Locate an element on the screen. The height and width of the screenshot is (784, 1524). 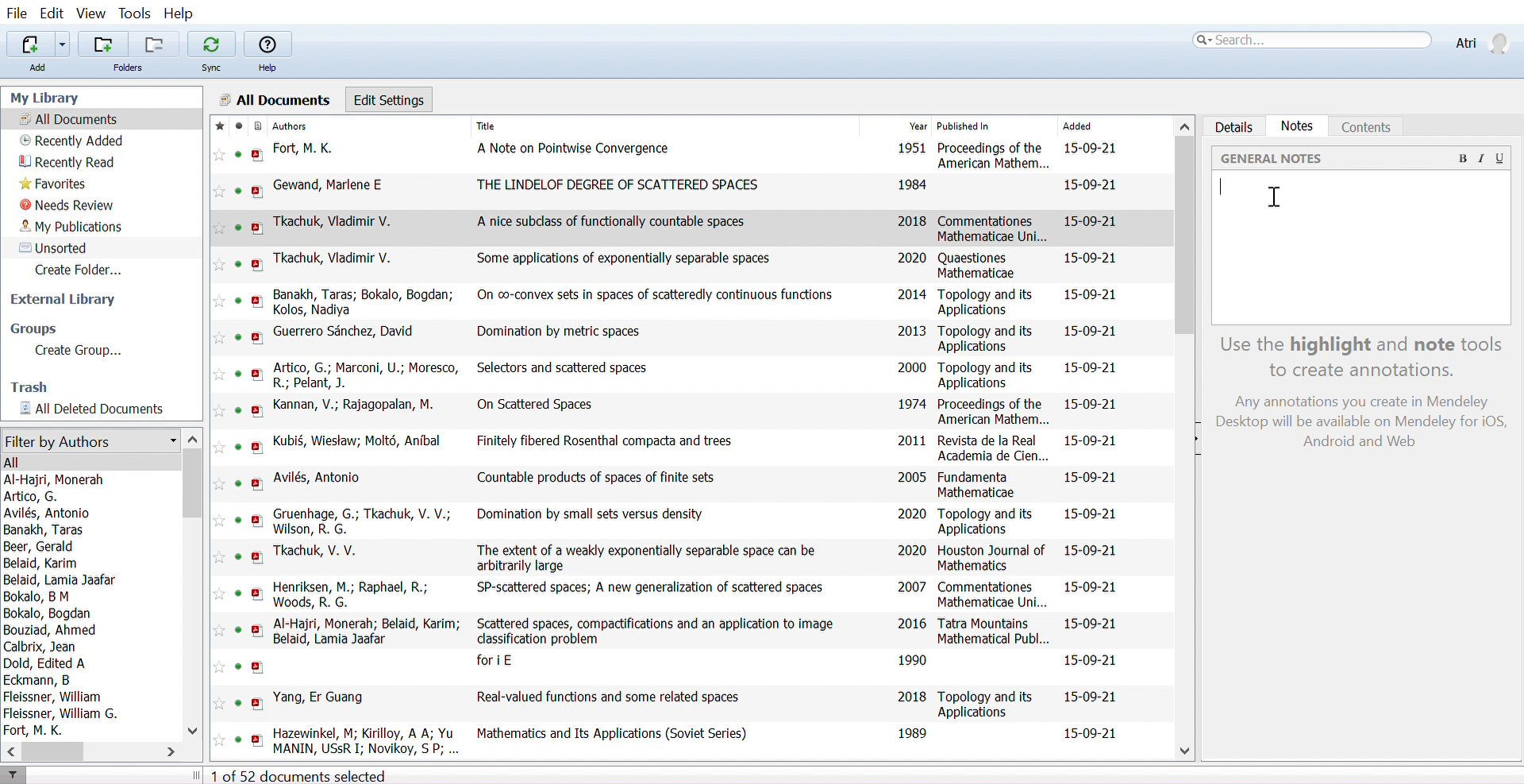
Document format is located at coordinates (256, 126).